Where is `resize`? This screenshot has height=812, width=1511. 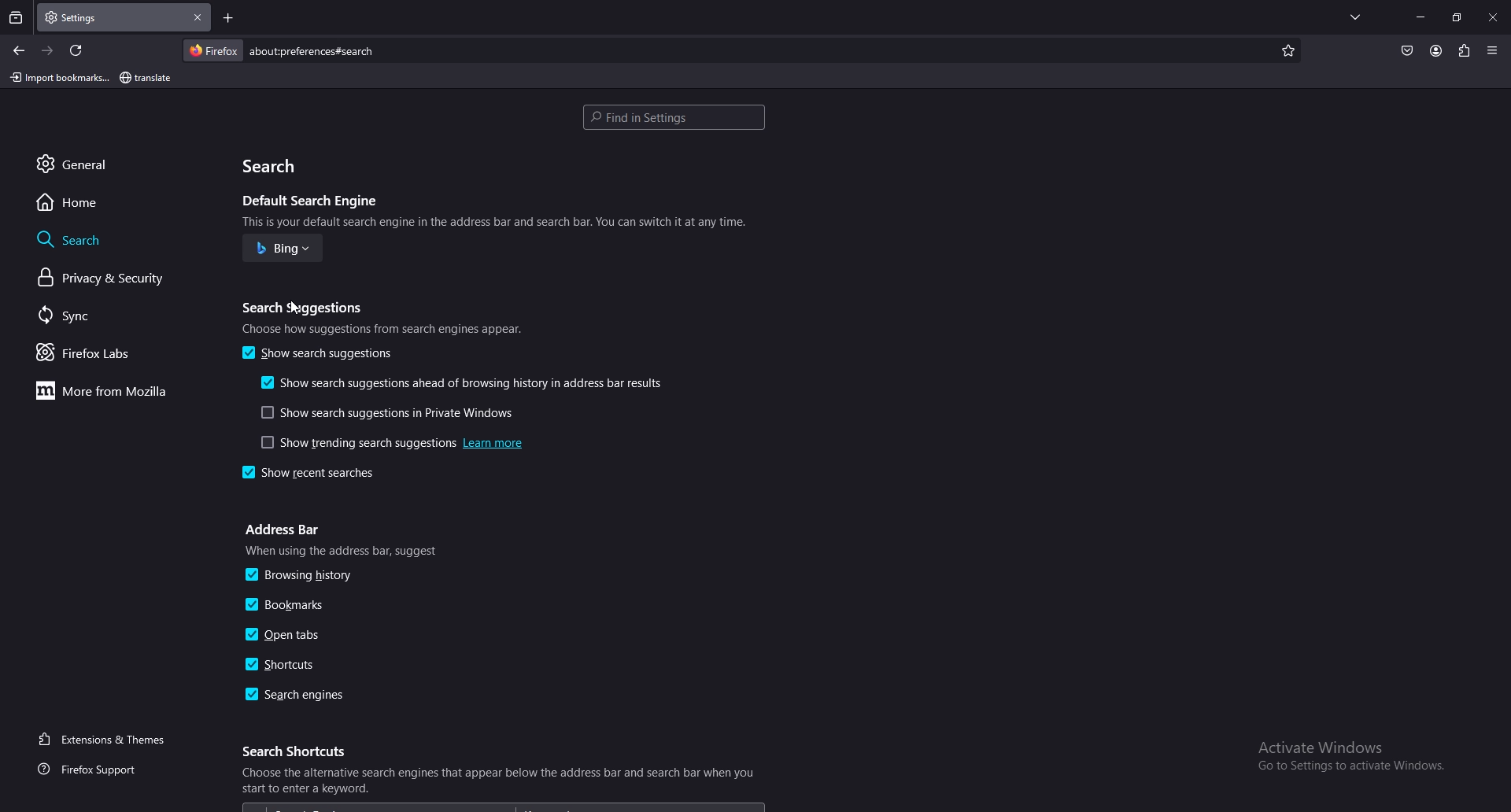
resize is located at coordinates (1457, 17).